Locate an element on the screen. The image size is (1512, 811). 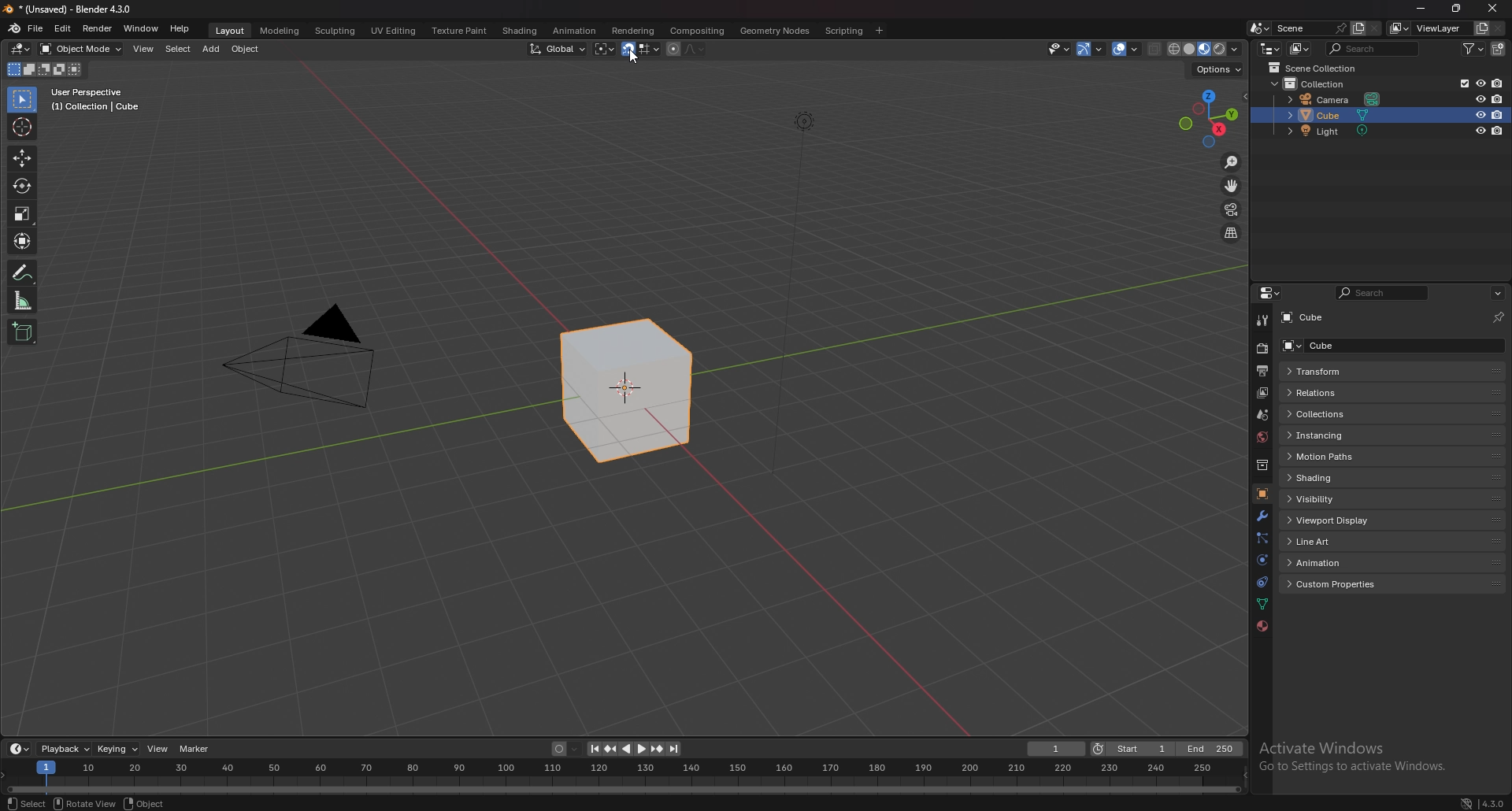
view is located at coordinates (159, 750).